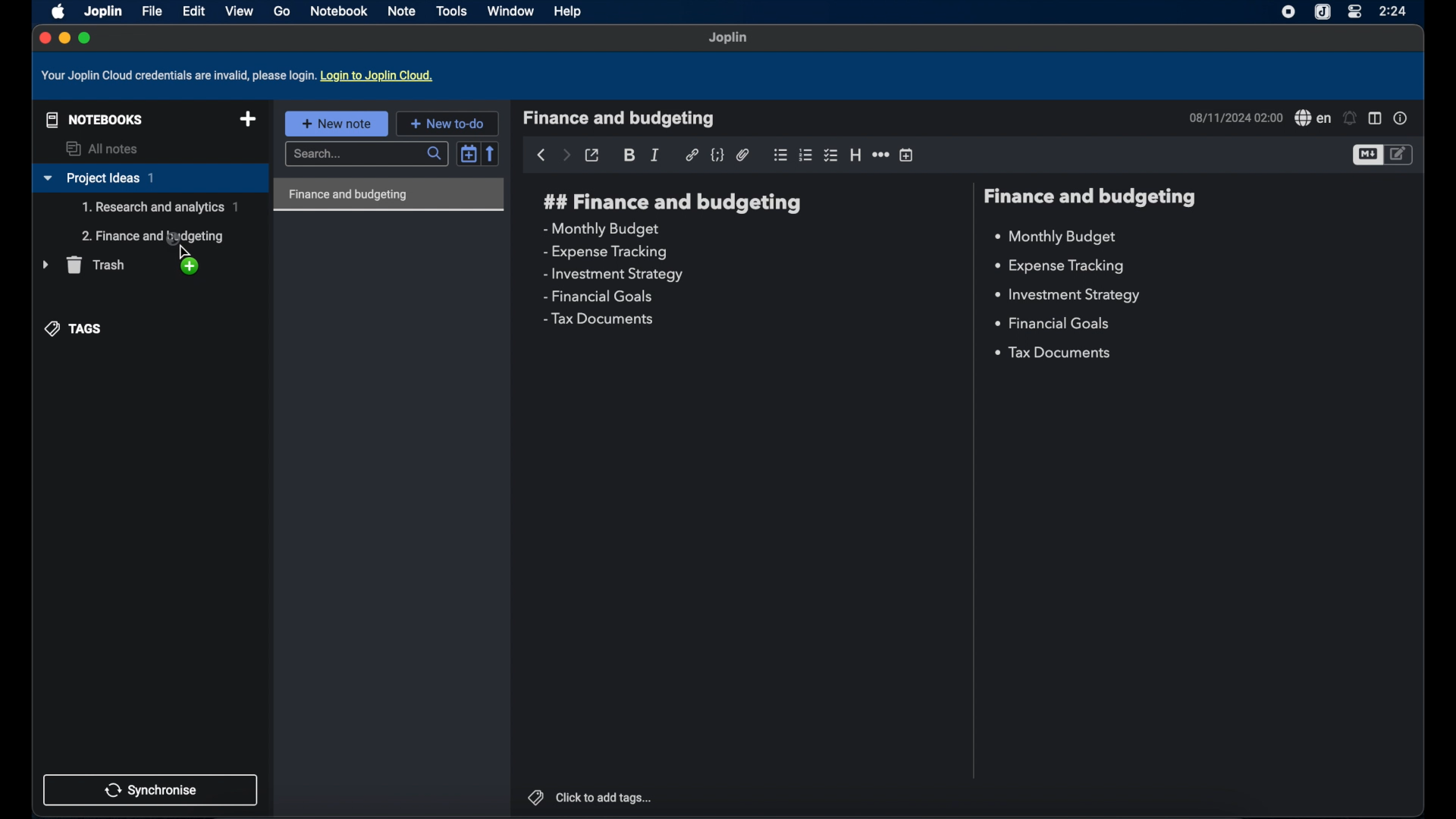  Describe the element at coordinates (1066, 295) in the screenshot. I see `investment strategy` at that location.